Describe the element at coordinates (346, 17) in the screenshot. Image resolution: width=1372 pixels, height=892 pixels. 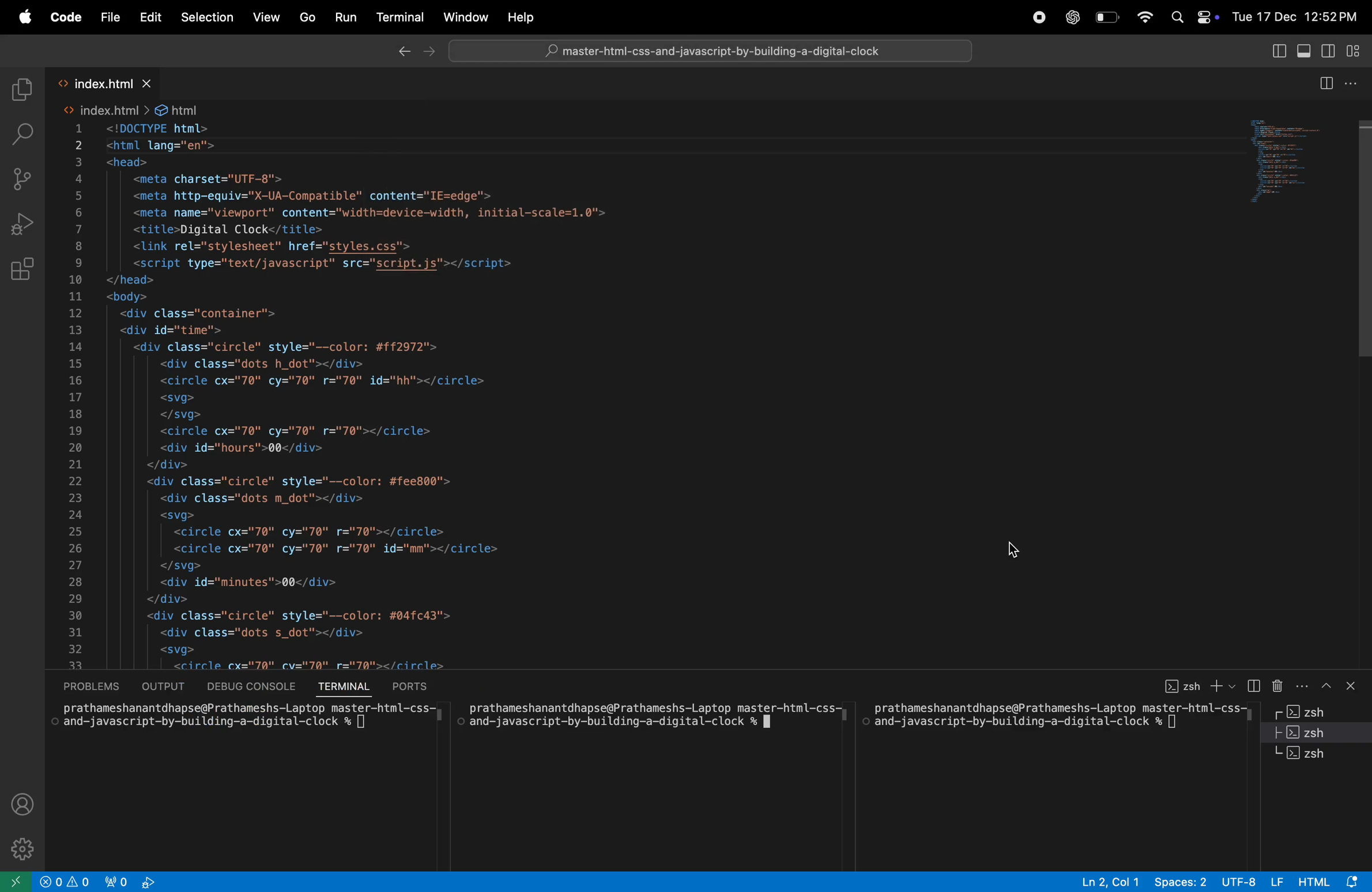
I see `Run` at that location.